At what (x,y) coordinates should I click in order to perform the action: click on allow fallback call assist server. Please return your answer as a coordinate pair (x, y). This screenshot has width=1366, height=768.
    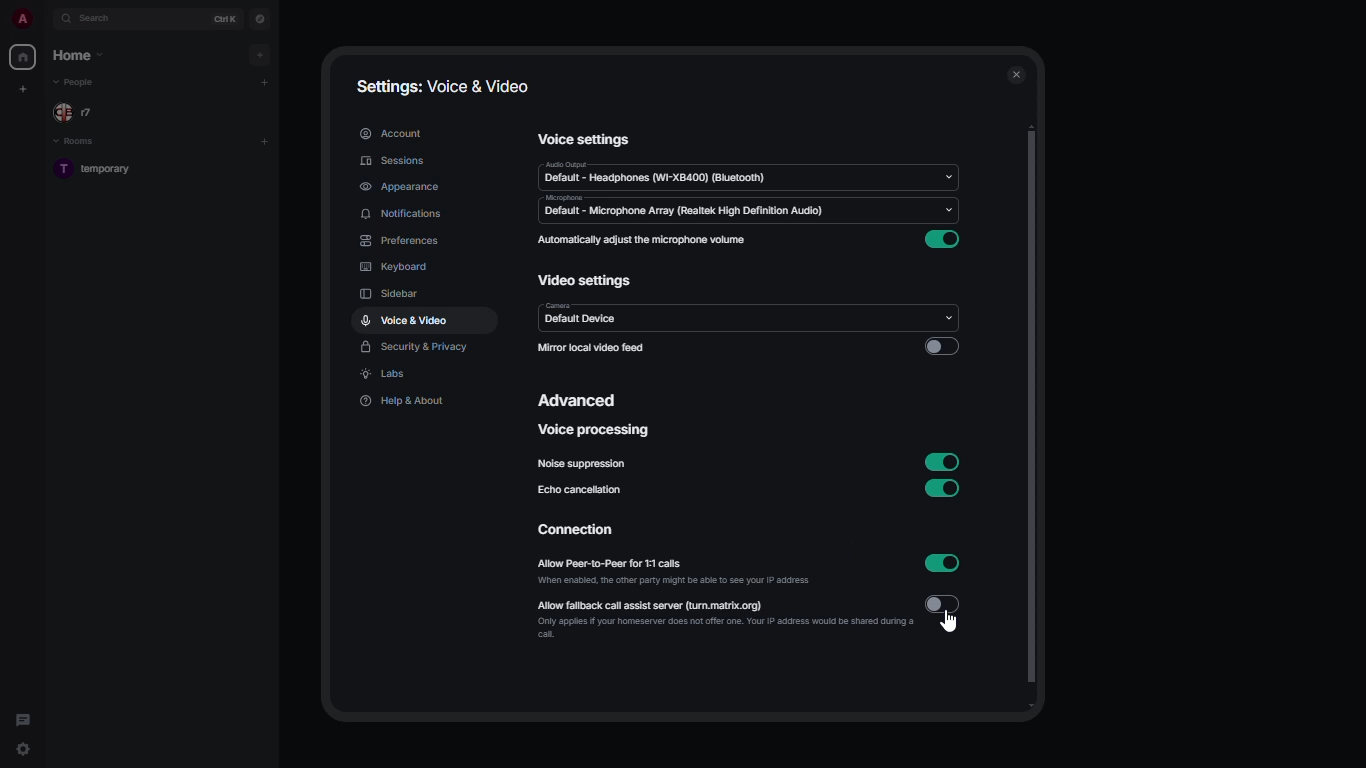
    Looking at the image, I should click on (727, 619).